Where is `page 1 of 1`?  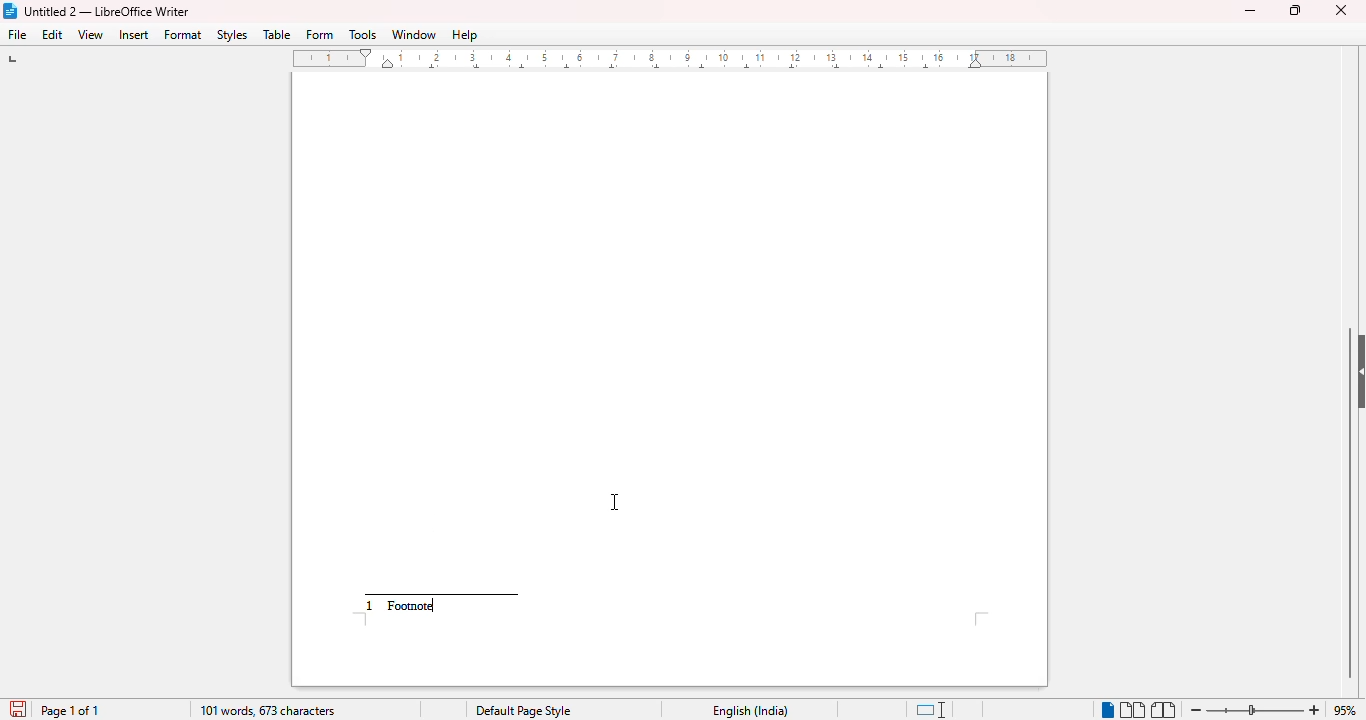
page 1 of 1 is located at coordinates (71, 711).